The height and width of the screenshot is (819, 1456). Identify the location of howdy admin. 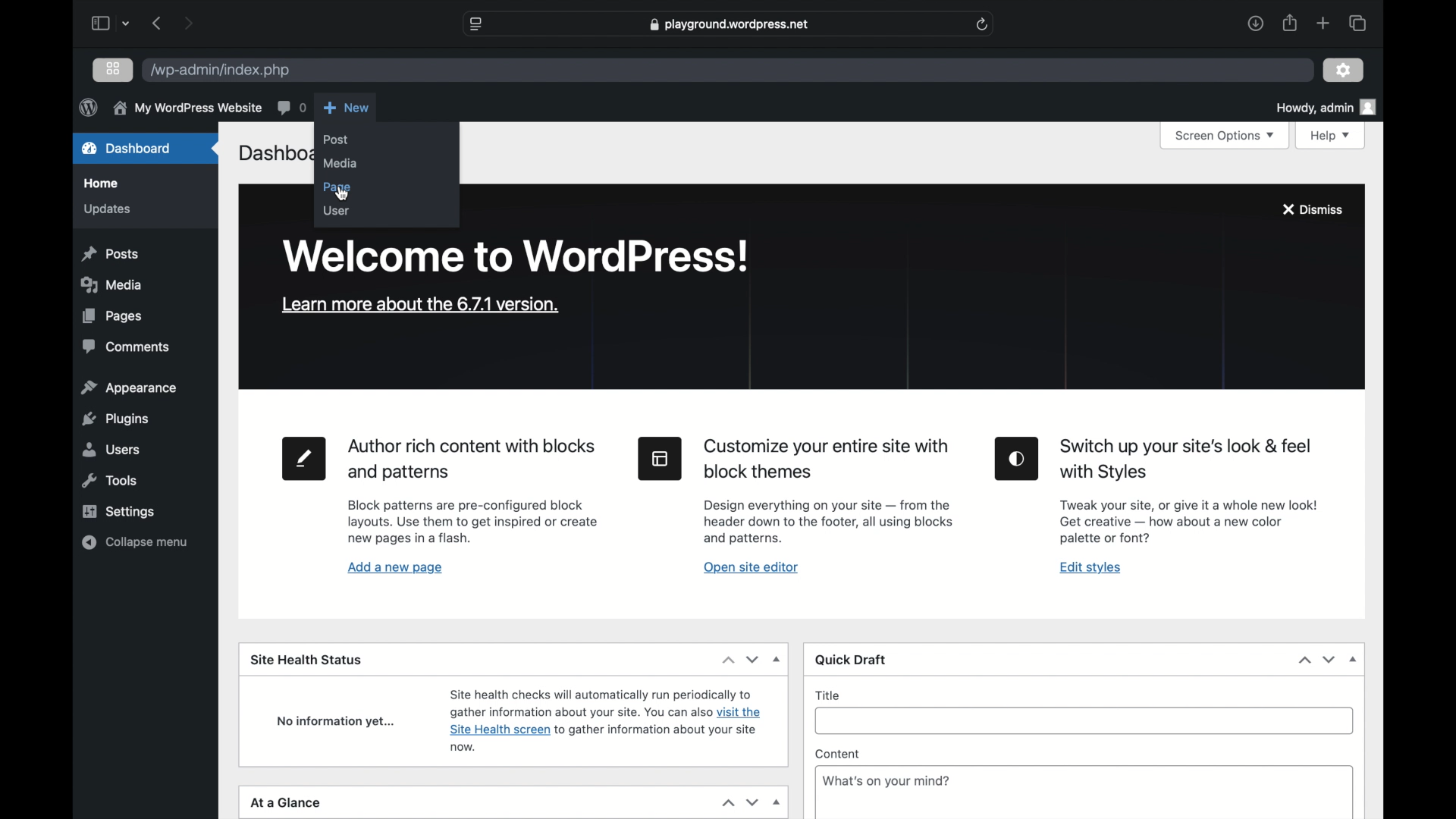
(1326, 107).